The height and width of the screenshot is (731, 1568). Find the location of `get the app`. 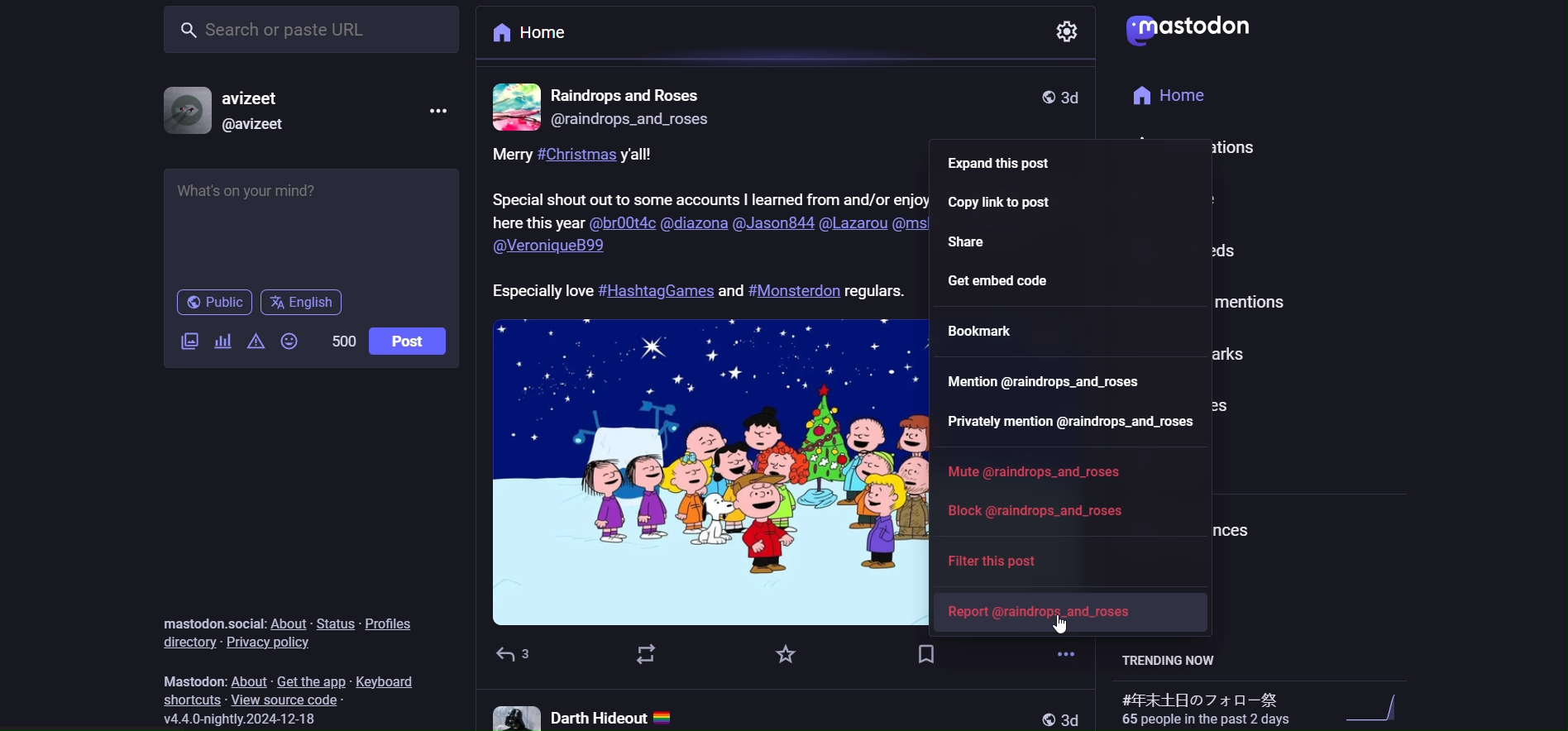

get the app is located at coordinates (308, 679).